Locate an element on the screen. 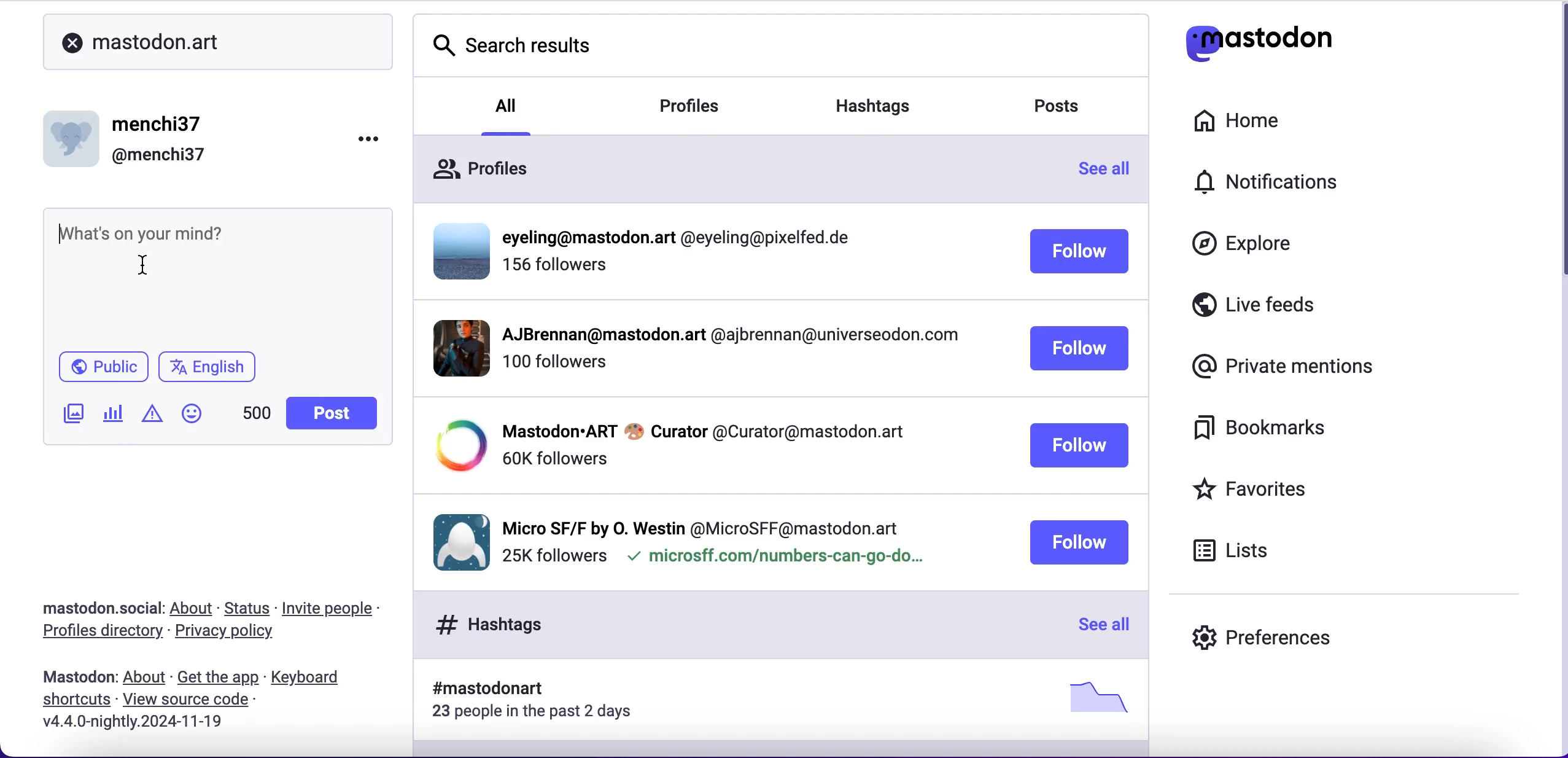 This screenshot has width=1568, height=758. about is located at coordinates (193, 609).